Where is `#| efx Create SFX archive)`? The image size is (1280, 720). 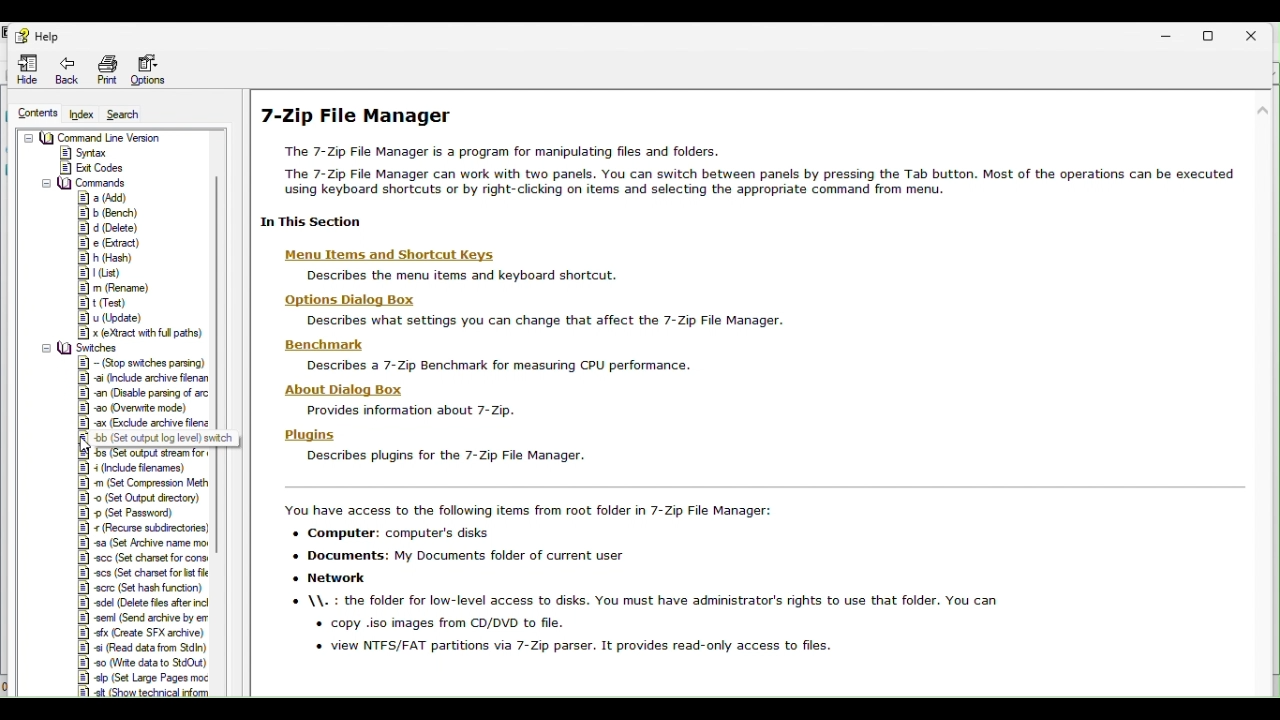 #| efx Create SFX archive) is located at coordinates (141, 633).